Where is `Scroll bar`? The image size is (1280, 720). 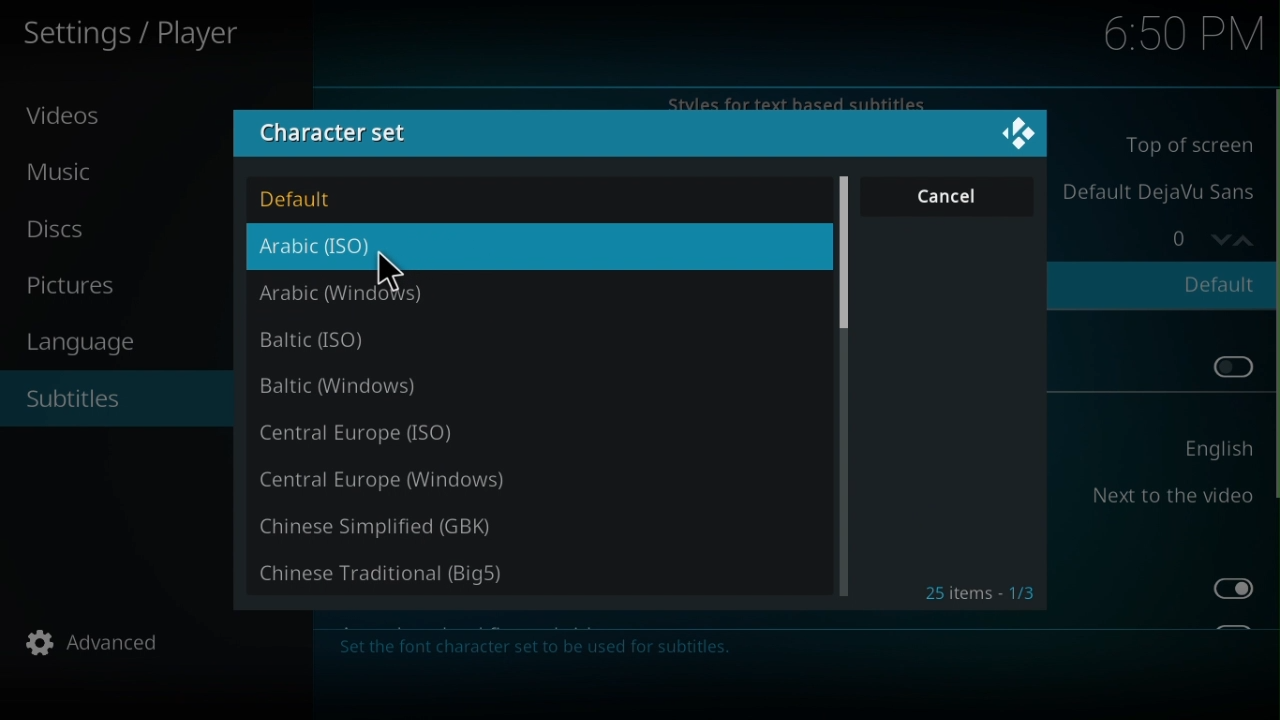 Scroll bar is located at coordinates (843, 385).